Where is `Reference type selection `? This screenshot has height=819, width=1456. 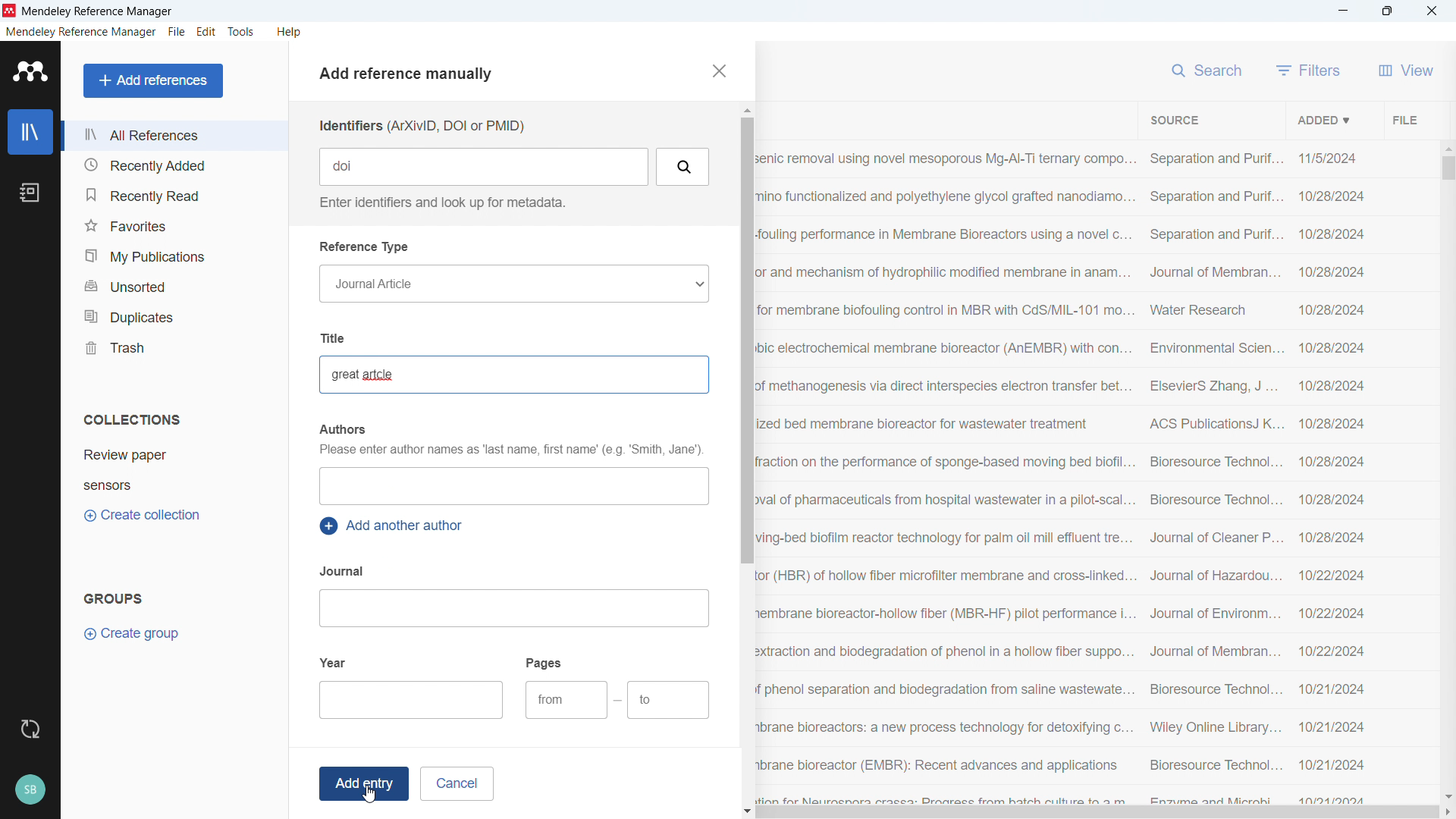
Reference type selection  is located at coordinates (513, 284).